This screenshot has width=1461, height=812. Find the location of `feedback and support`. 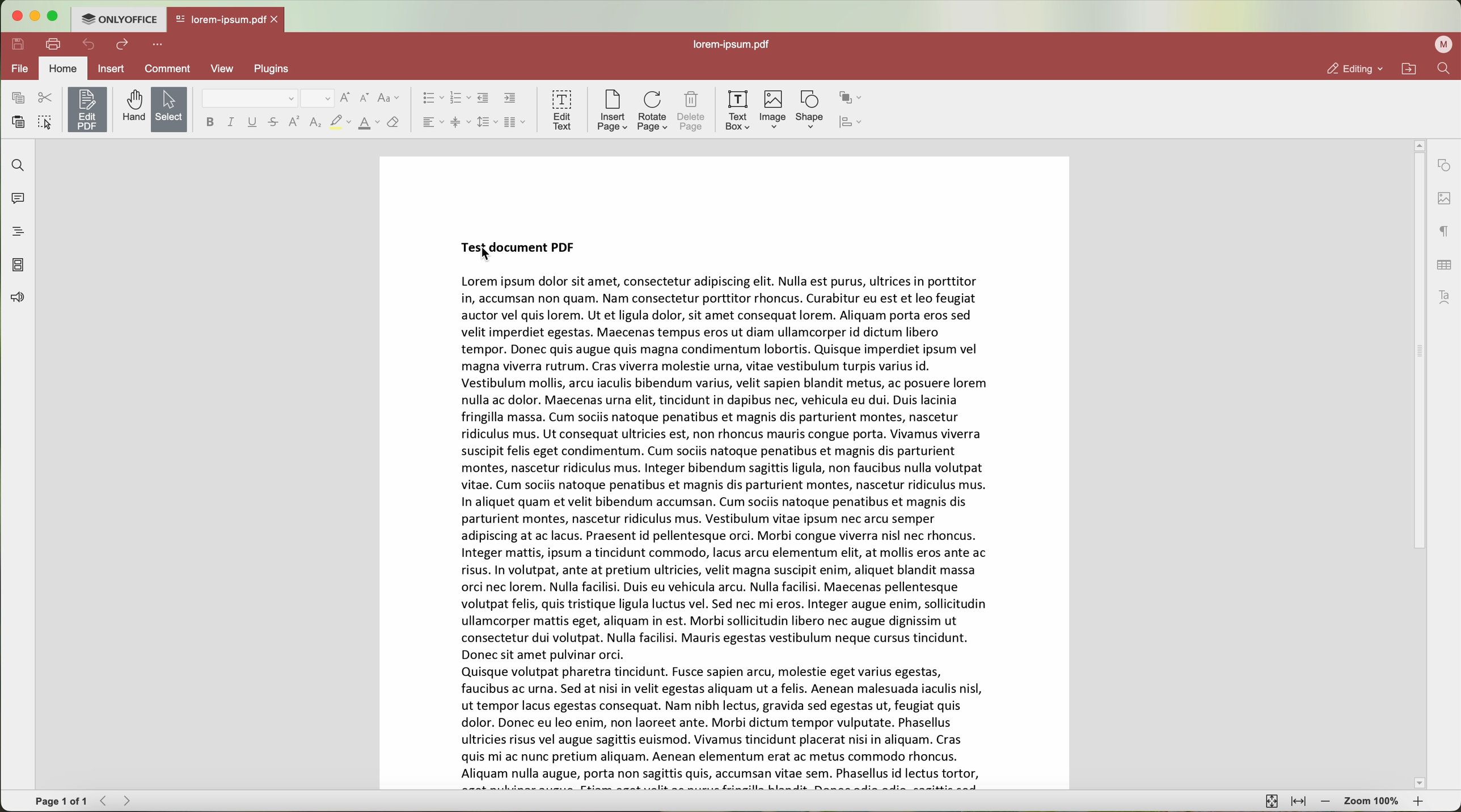

feedback and support is located at coordinates (18, 298).